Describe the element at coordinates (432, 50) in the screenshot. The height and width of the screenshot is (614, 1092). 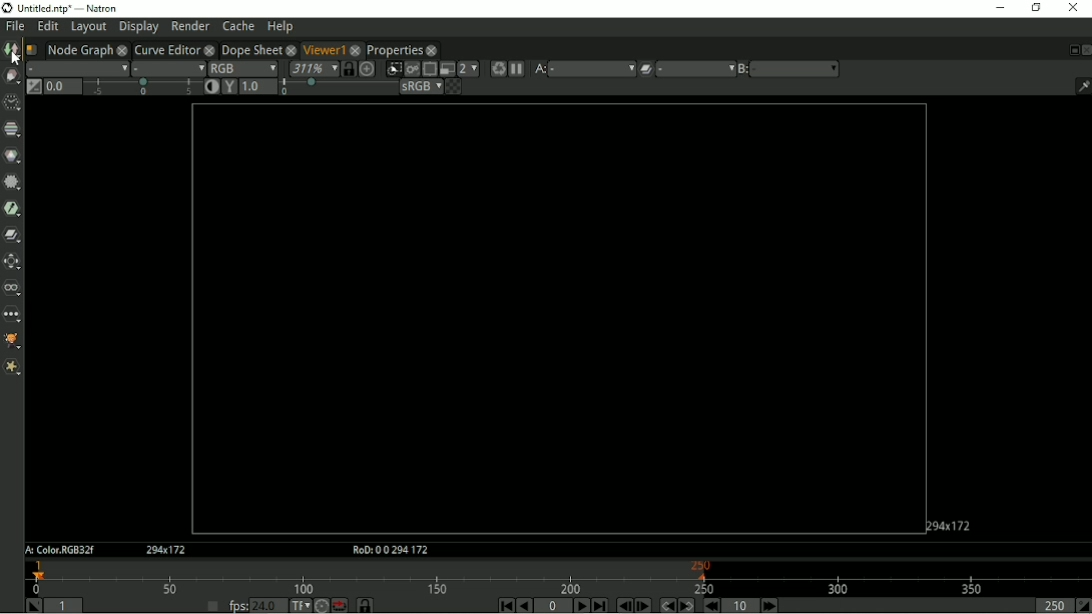
I see `close` at that location.